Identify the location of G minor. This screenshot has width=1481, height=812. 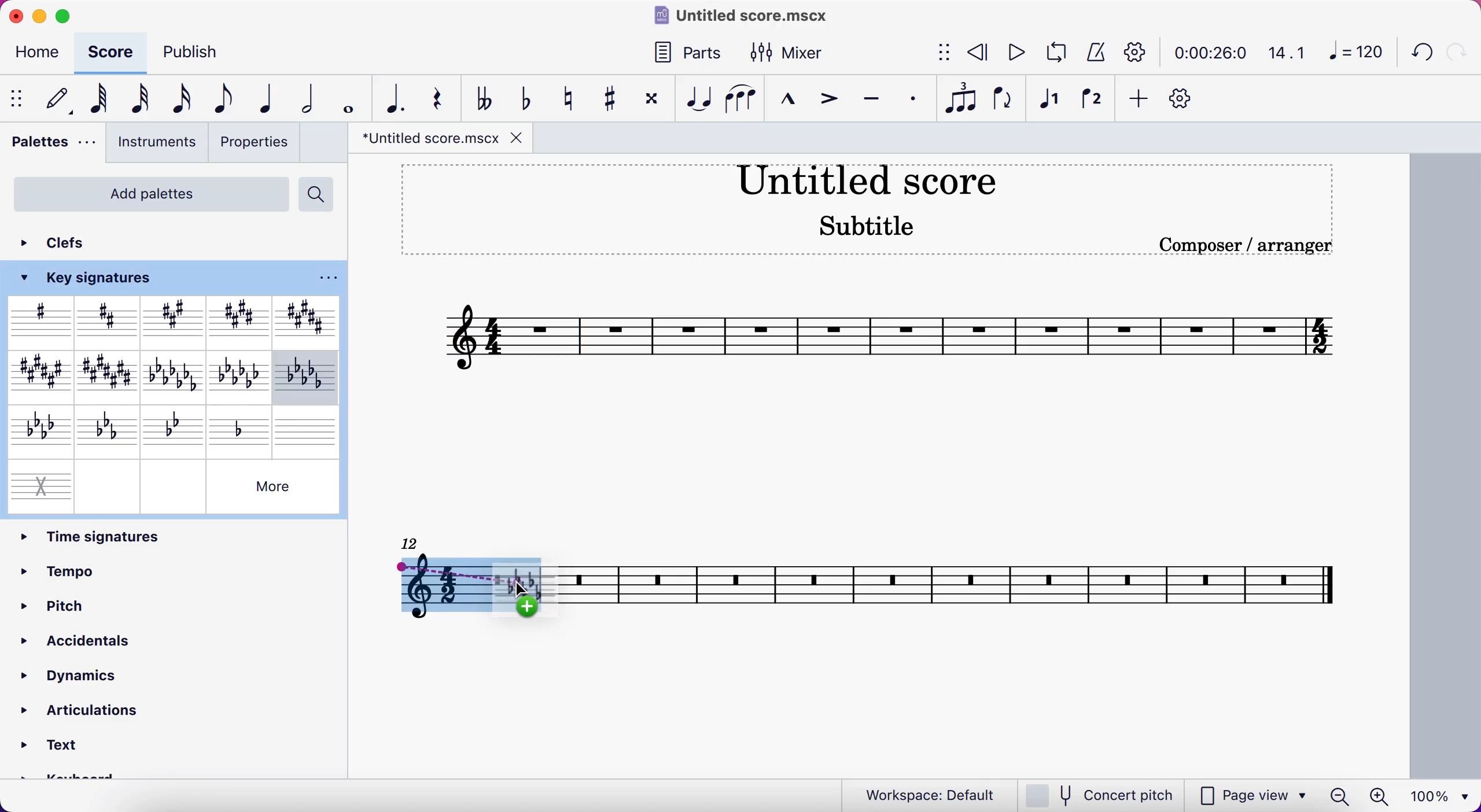
(176, 428).